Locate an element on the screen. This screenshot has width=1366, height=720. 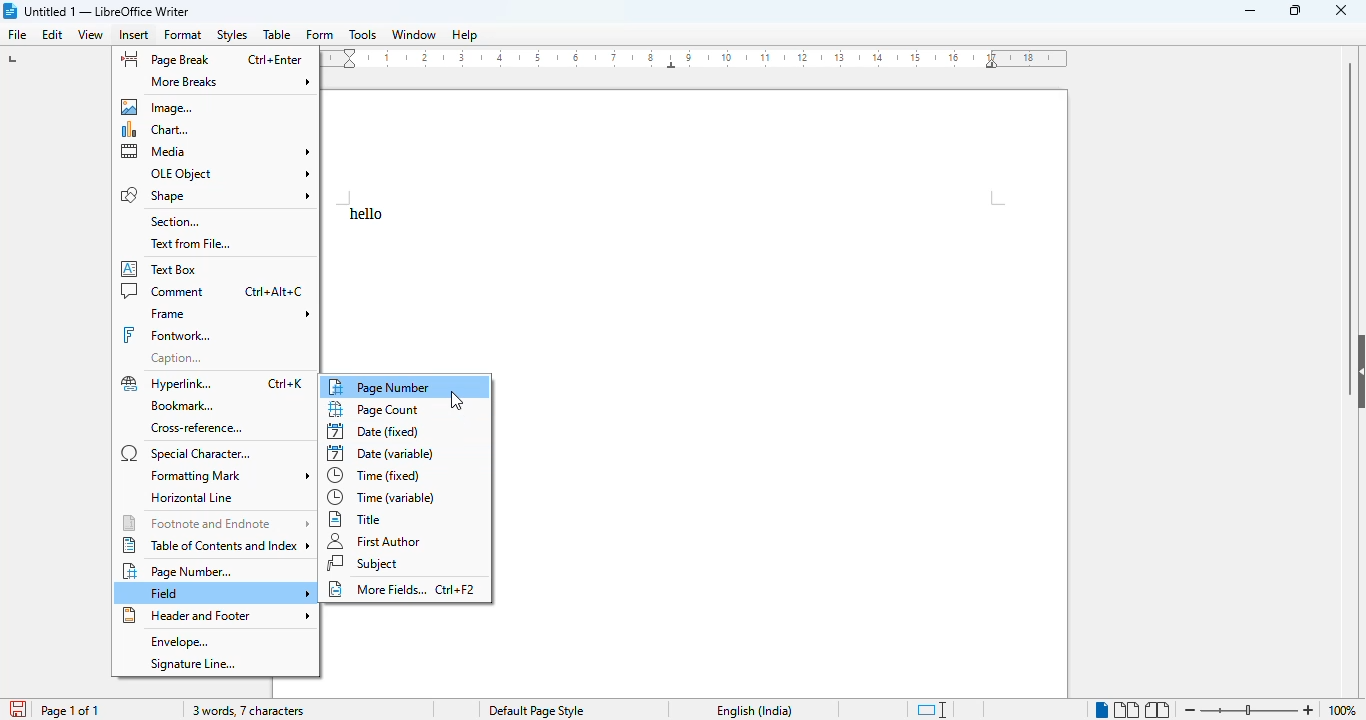
more fields is located at coordinates (402, 589).